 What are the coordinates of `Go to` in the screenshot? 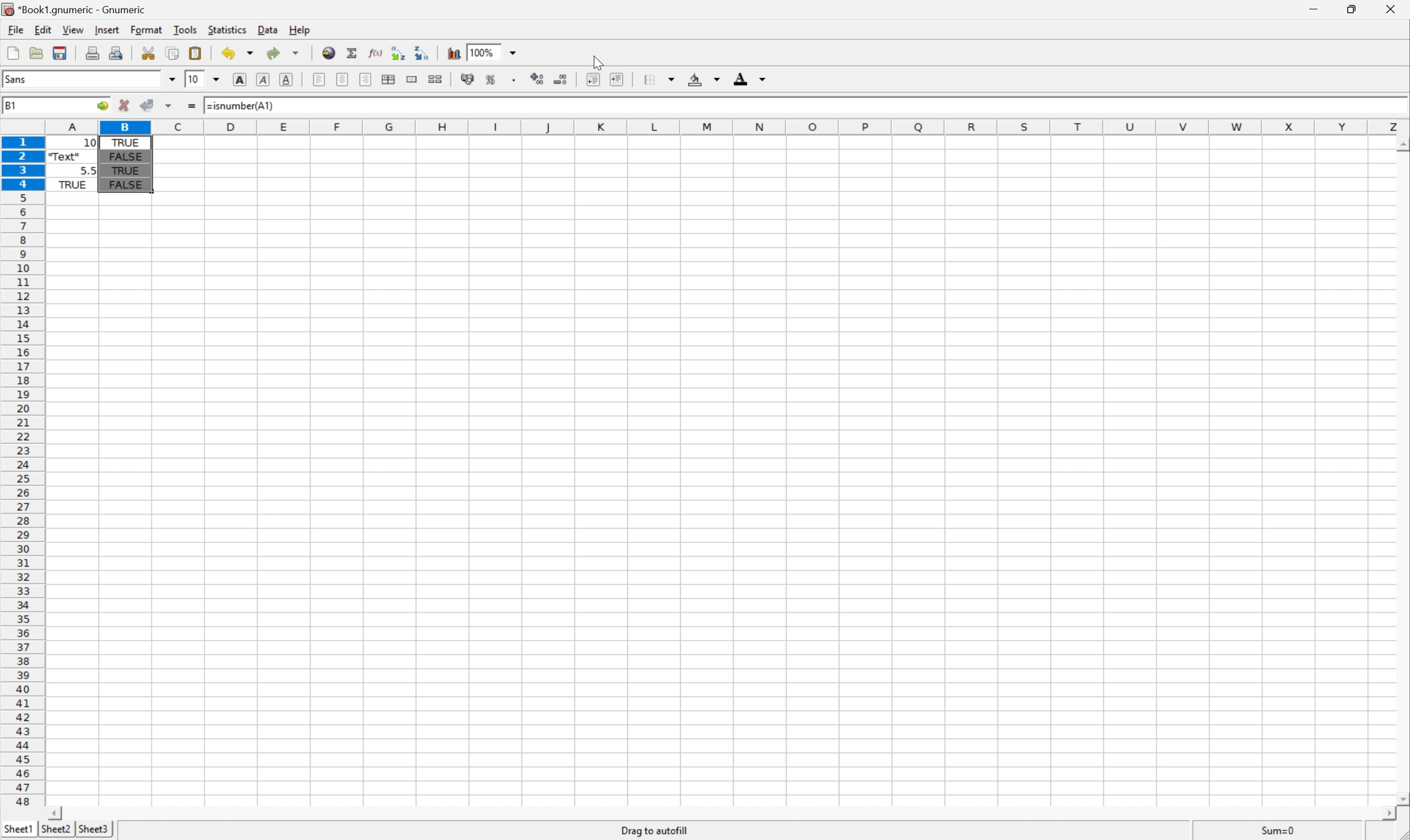 It's located at (101, 104).